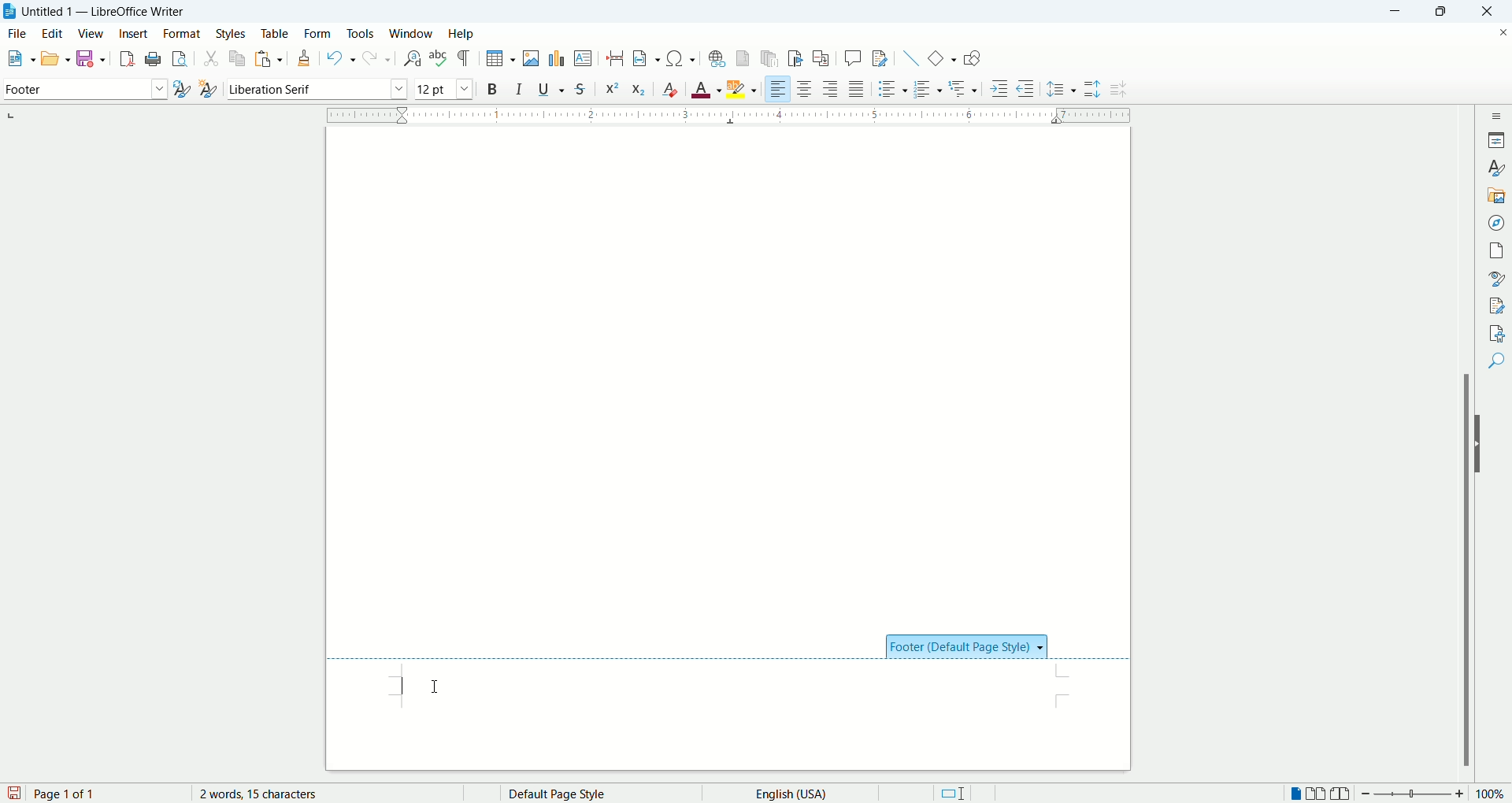 The image size is (1512, 803). What do you see at coordinates (743, 90) in the screenshot?
I see `text highlighting` at bounding box center [743, 90].